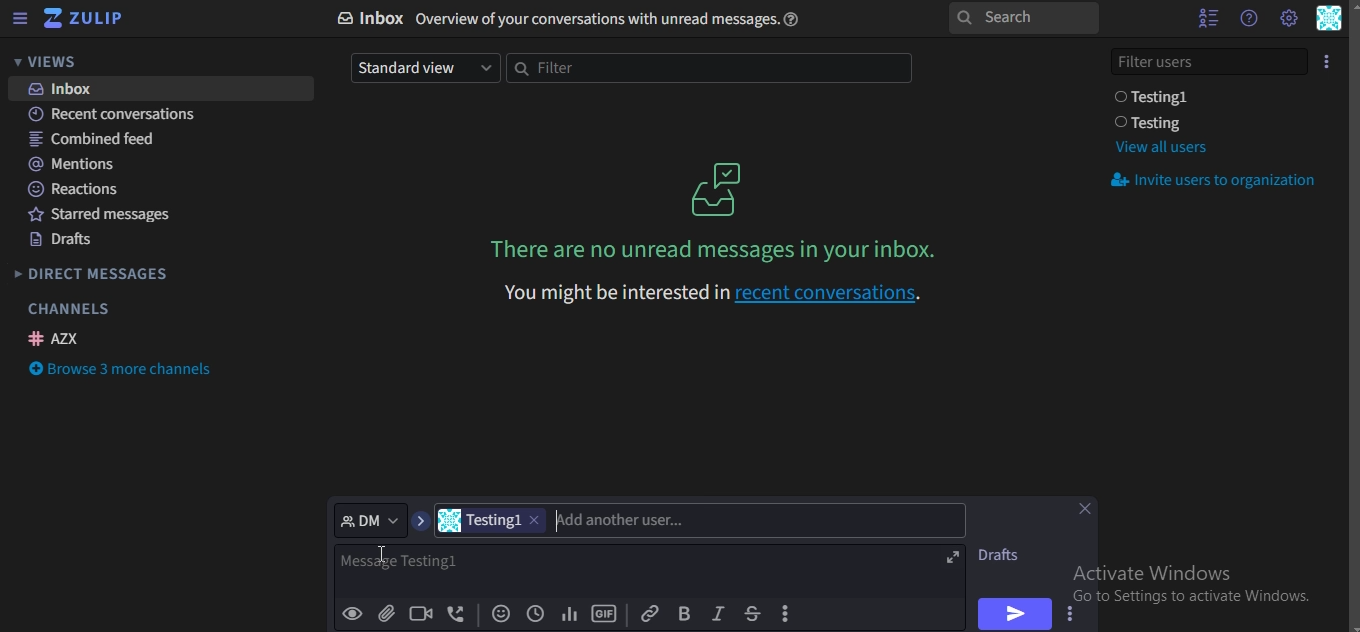  What do you see at coordinates (717, 614) in the screenshot?
I see `italic` at bounding box center [717, 614].